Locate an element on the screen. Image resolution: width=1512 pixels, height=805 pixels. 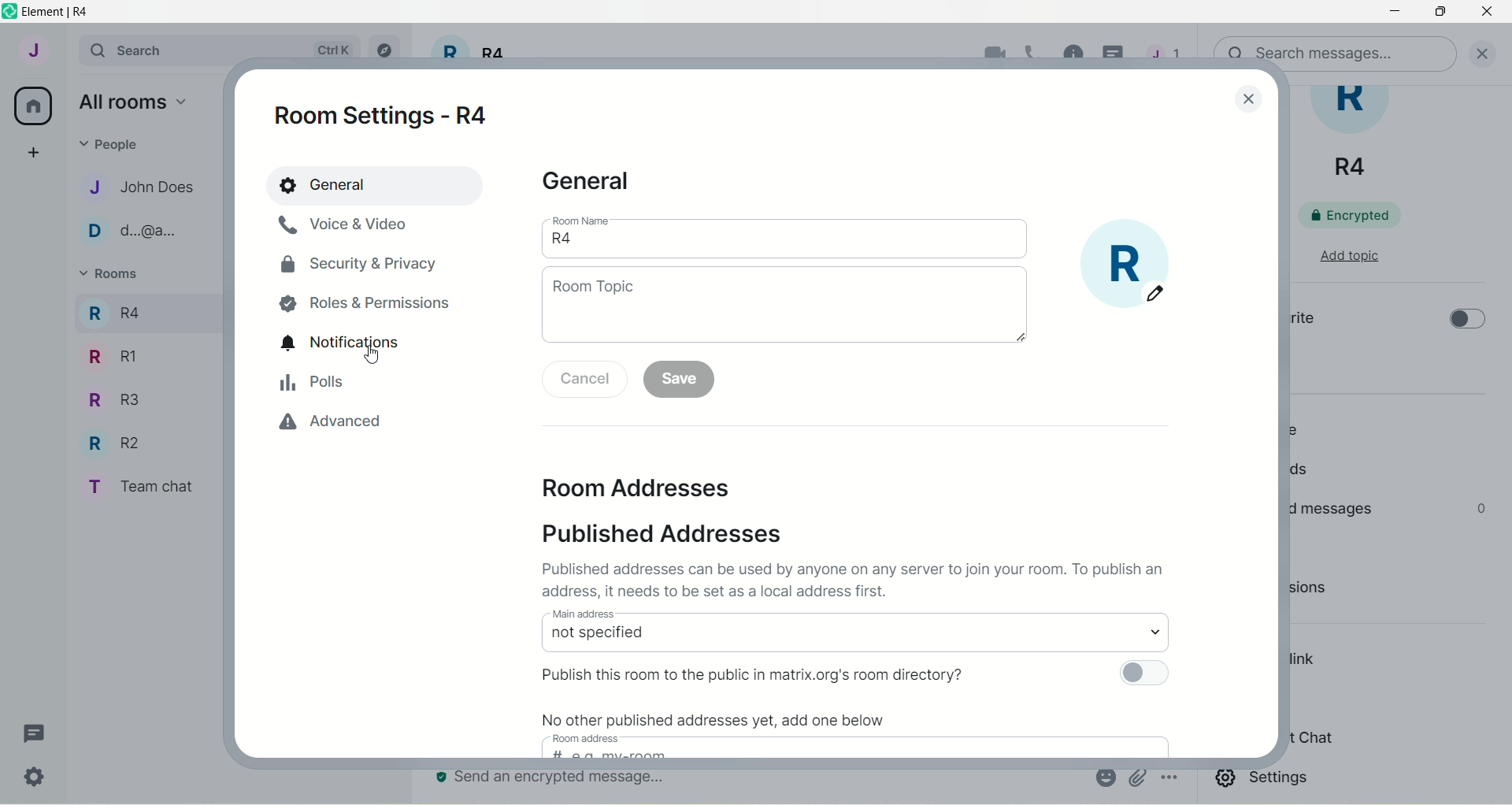
settings is located at coordinates (1266, 781).